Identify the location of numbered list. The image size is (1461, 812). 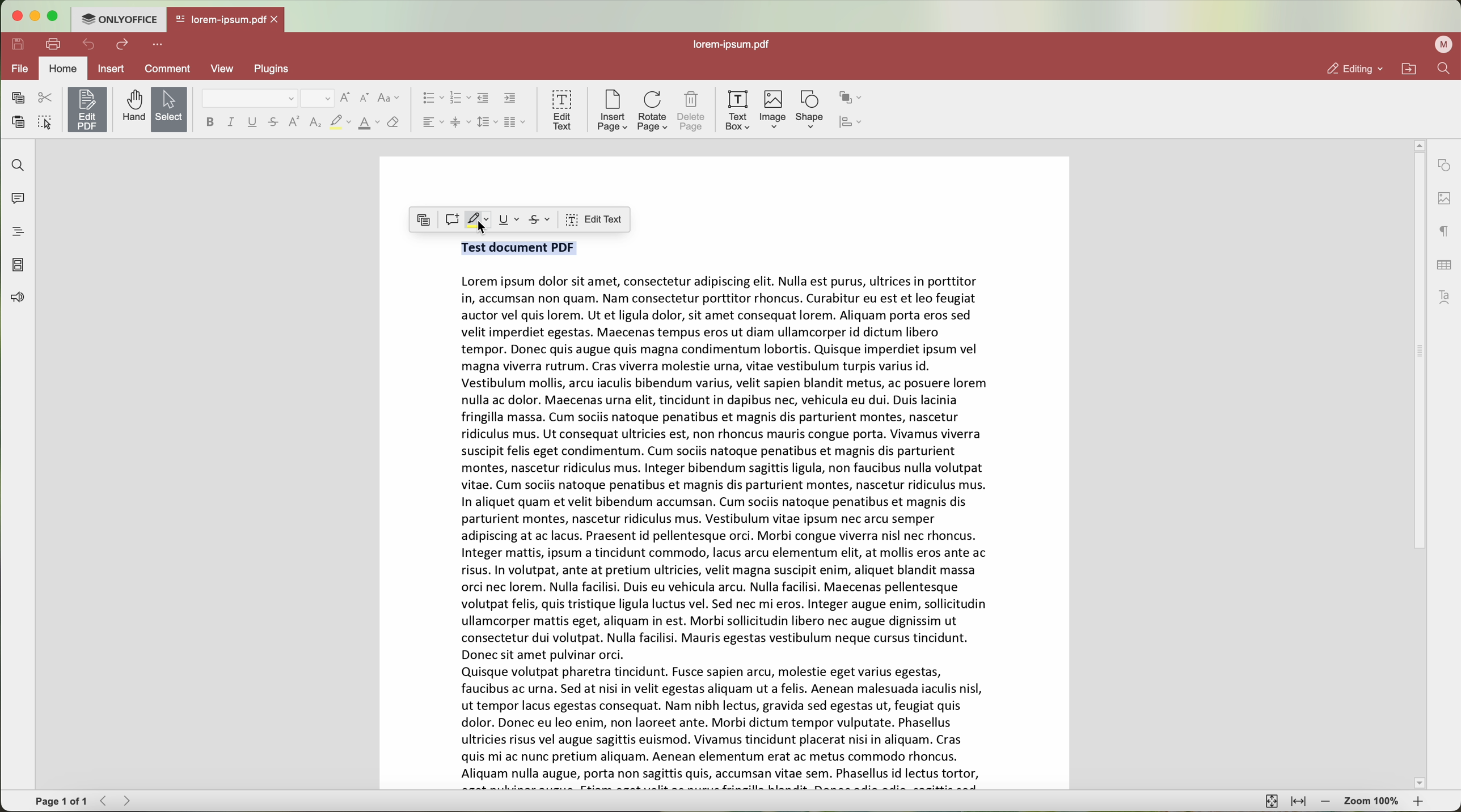
(460, 100).